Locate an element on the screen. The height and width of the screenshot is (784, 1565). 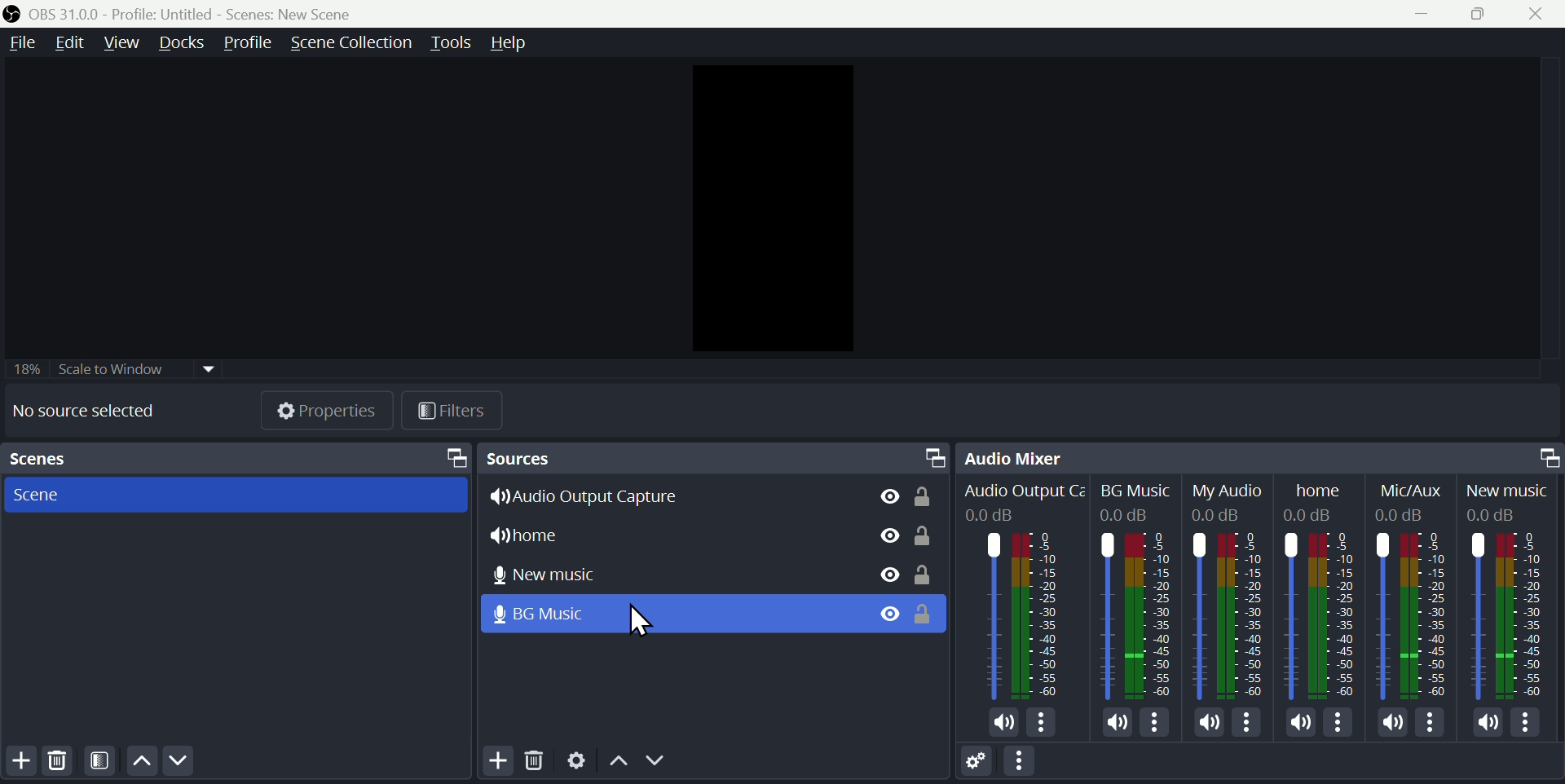
Audio Output is located at coordinates (1022, 588).